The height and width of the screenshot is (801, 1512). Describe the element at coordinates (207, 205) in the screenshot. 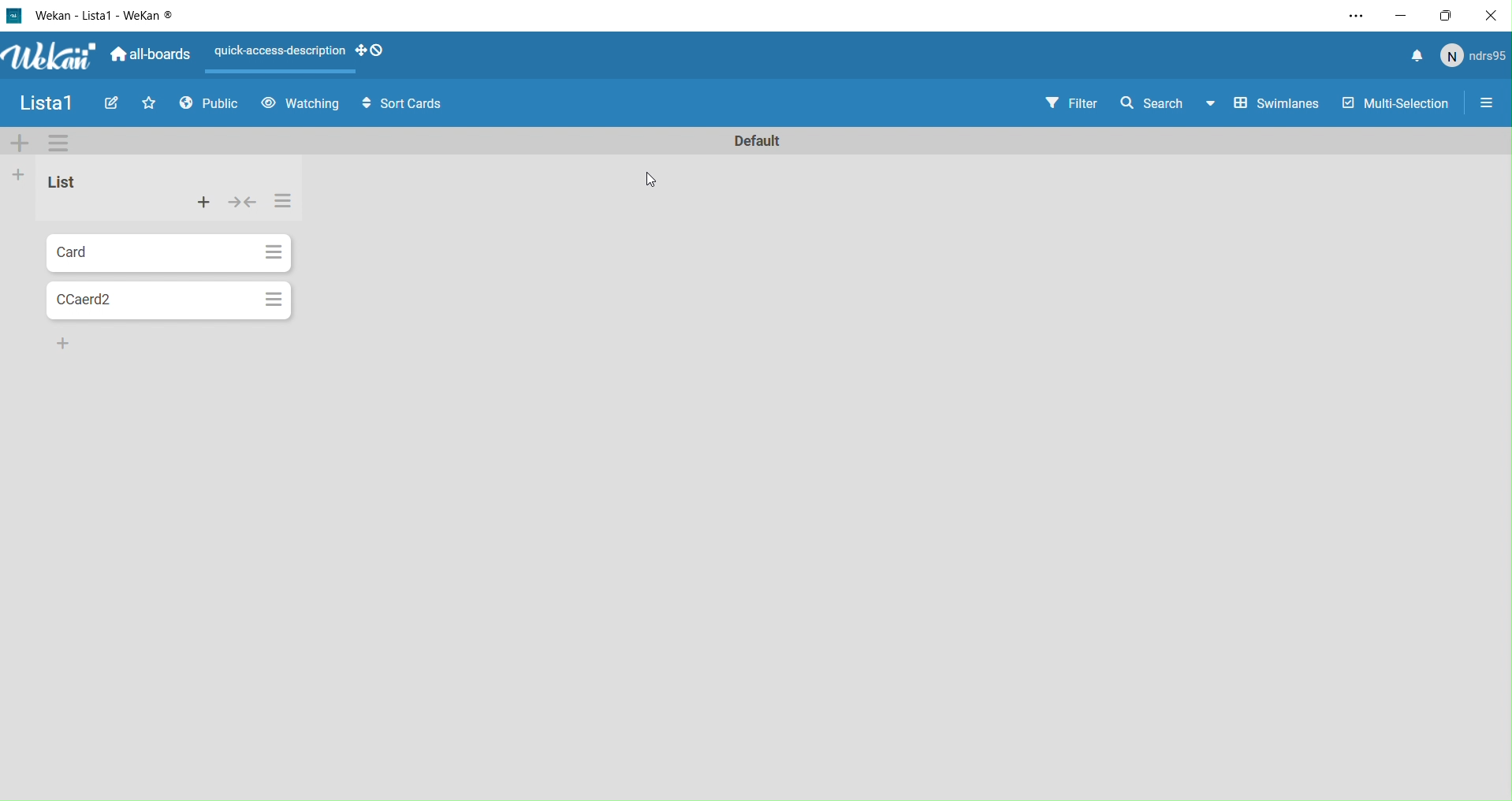

I see `Actions` at that location.